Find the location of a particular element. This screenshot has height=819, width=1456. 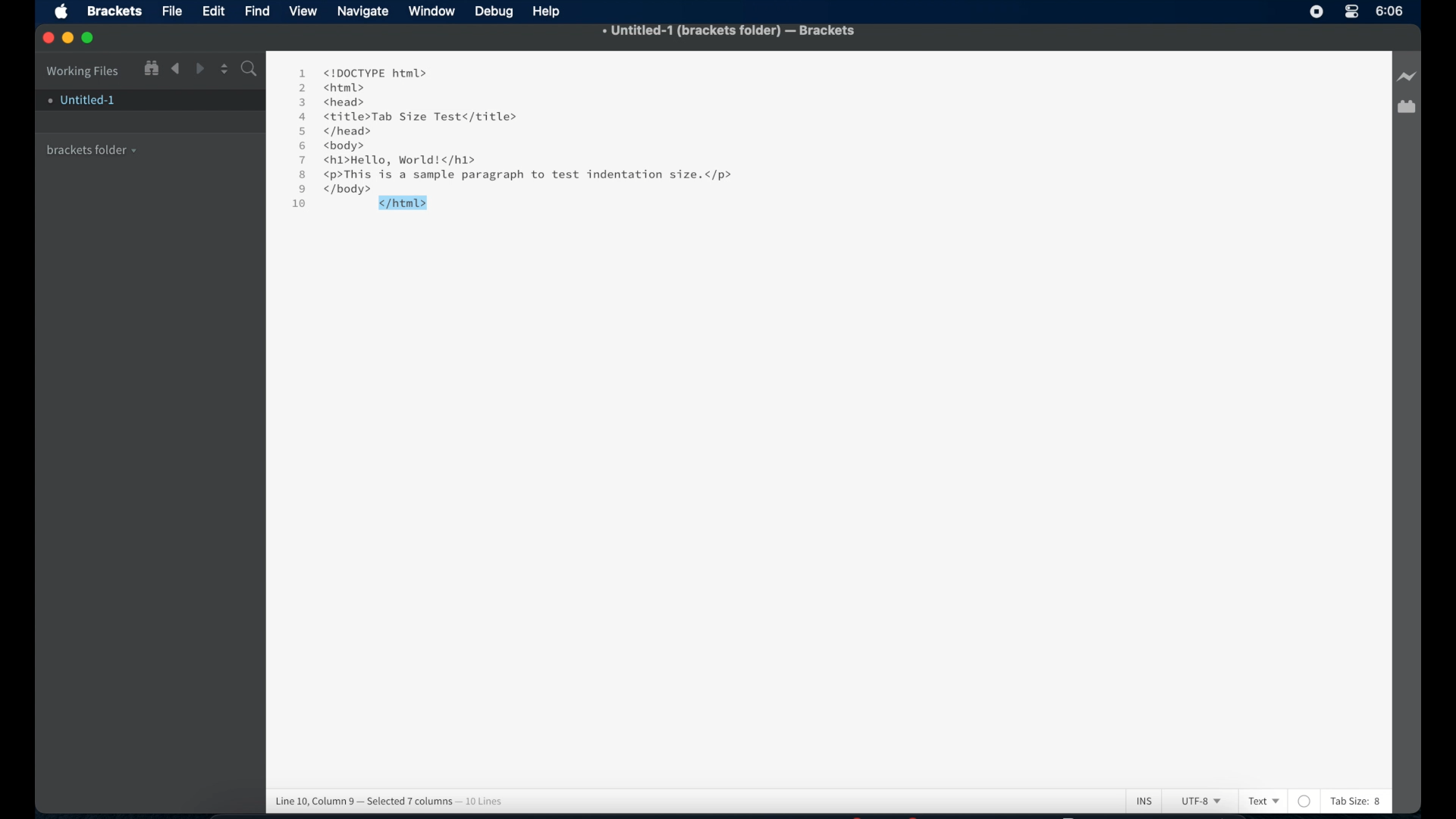

UTF-8 is located at coordinates (1198, 802).